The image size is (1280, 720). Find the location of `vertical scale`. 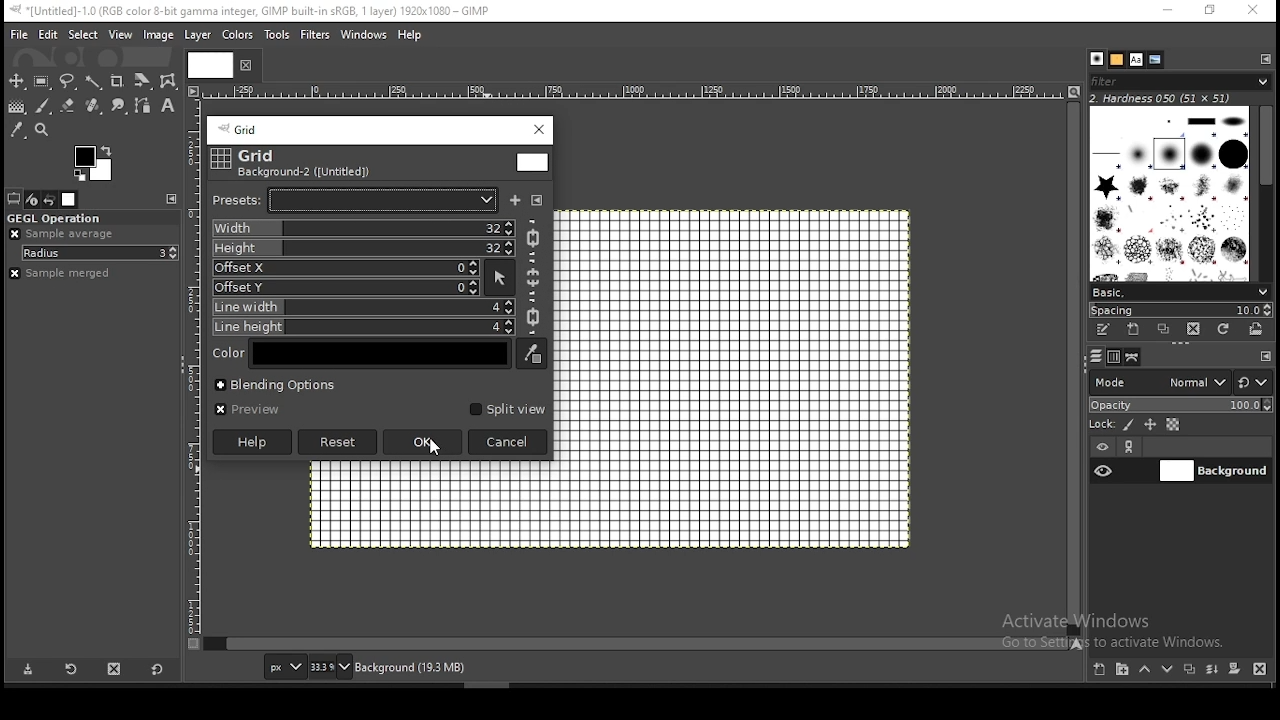

vertical scale is located at coordinates (197, 375).